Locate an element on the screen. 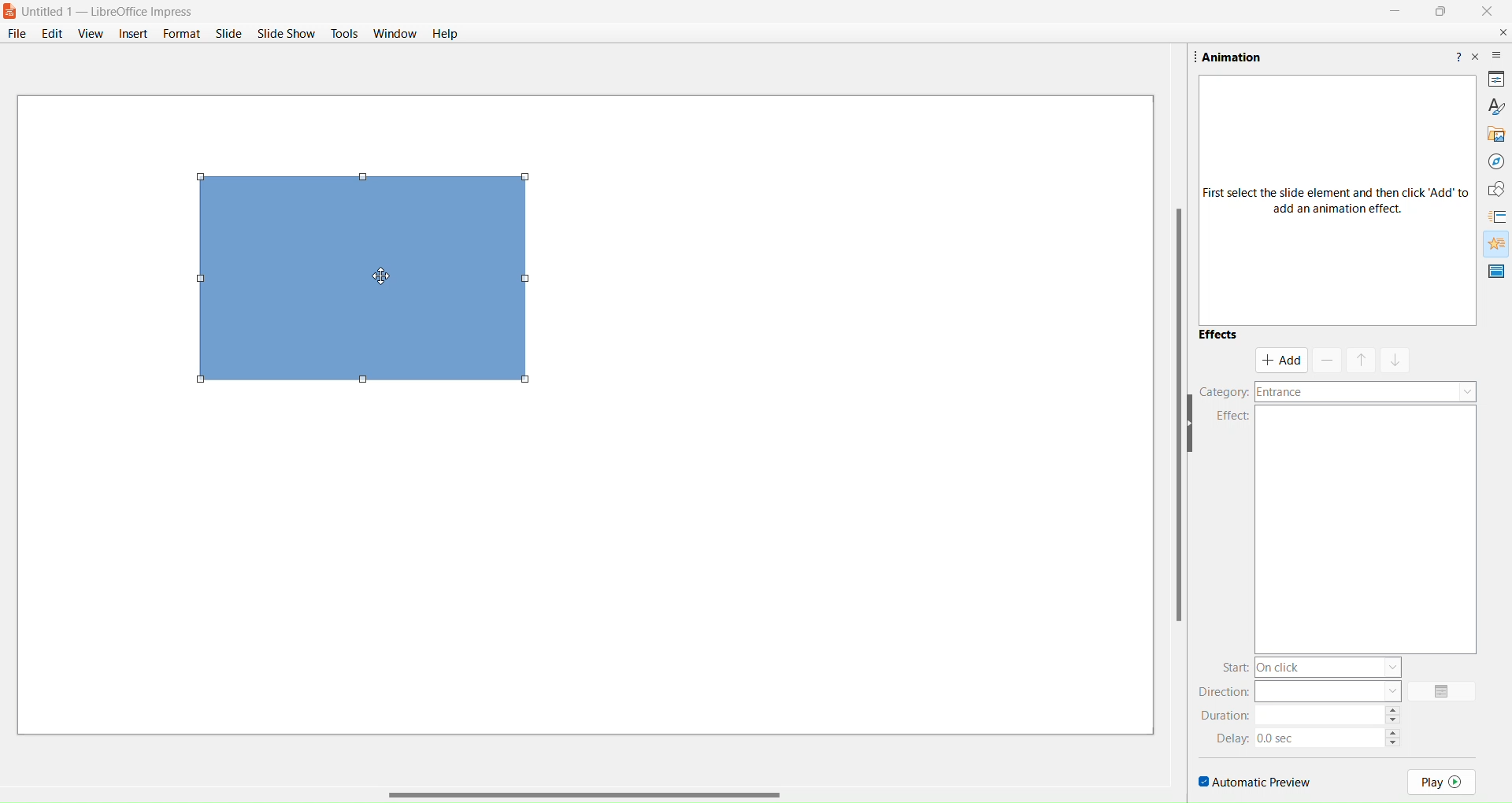 This screenshot has height=803, width=1512. remove is located at coordinates (1326, 361).